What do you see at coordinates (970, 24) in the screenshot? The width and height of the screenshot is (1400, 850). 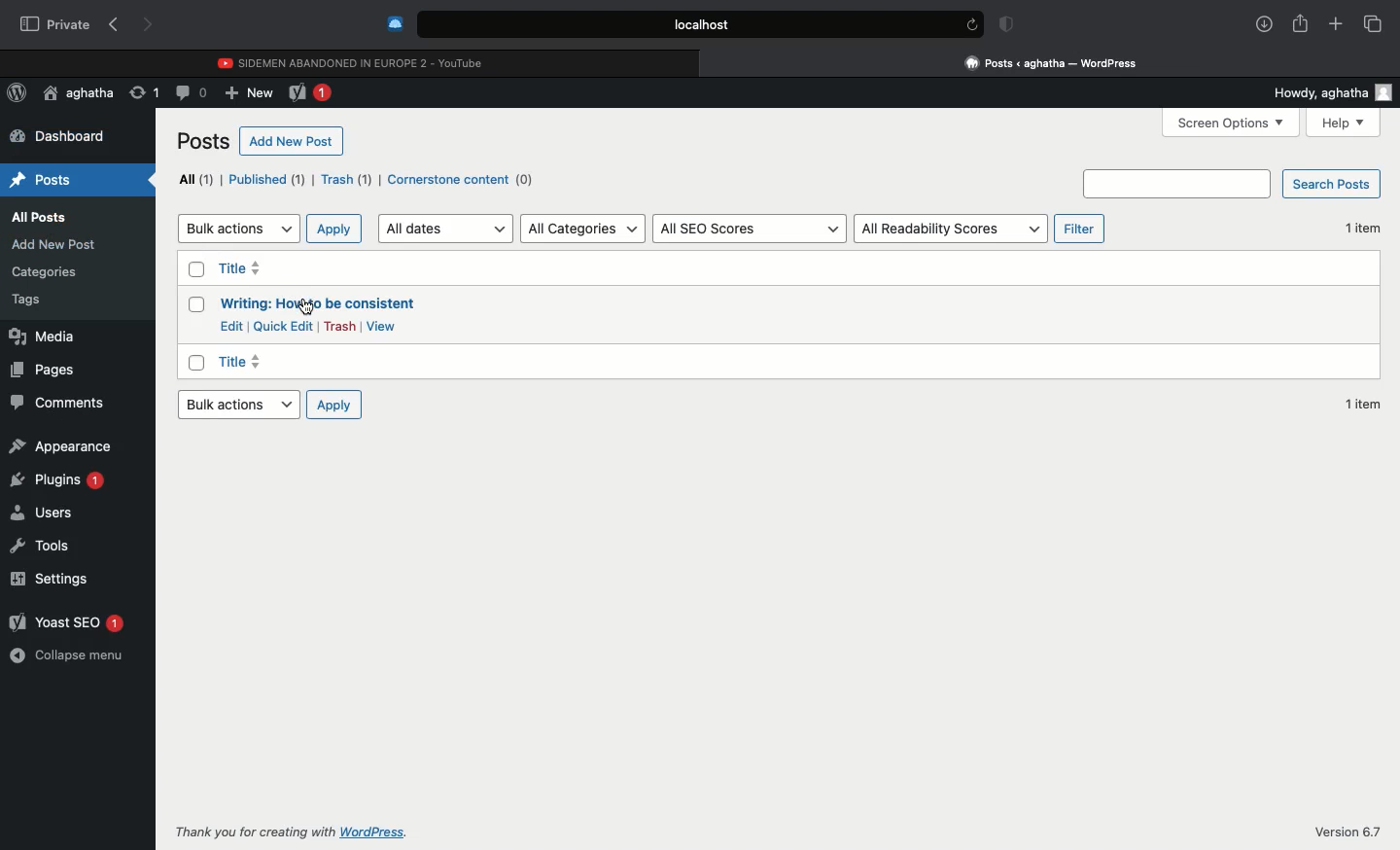 I see `refresh` at bounding box center [970, 24].